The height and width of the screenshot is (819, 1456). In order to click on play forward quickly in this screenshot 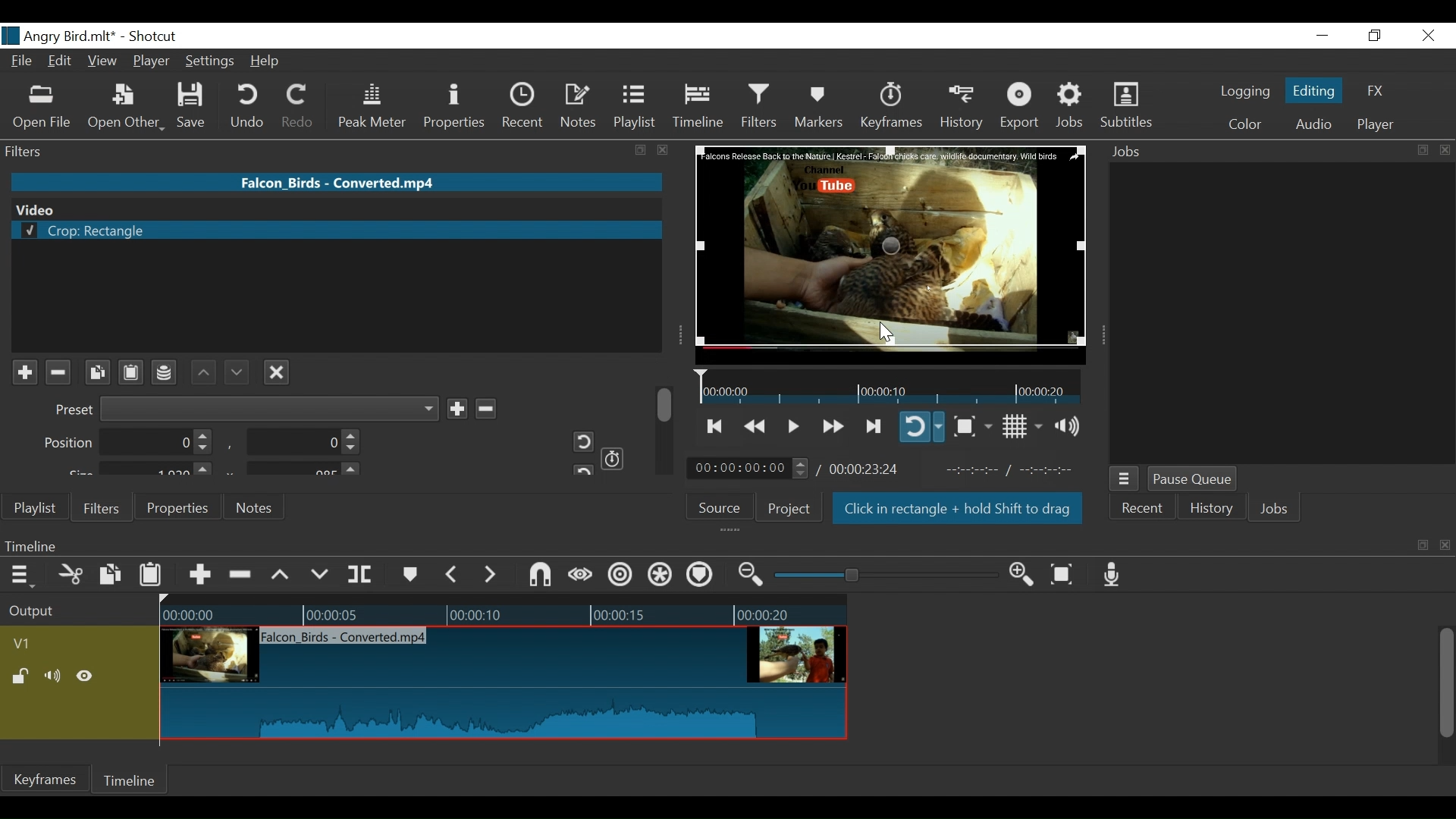, I will do `click(831, 428)`.